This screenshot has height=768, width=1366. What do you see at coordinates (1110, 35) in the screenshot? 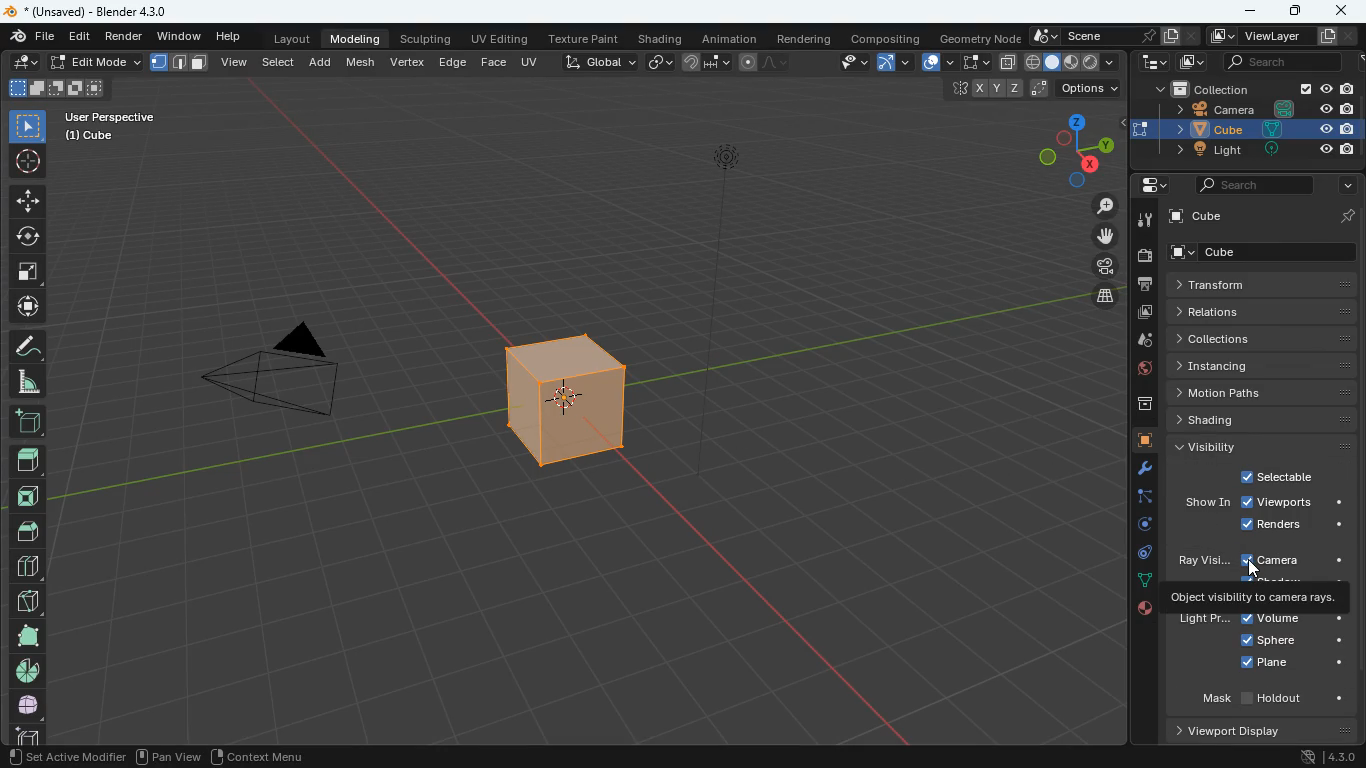
I see `scene` at bounding box center [1110, 35].